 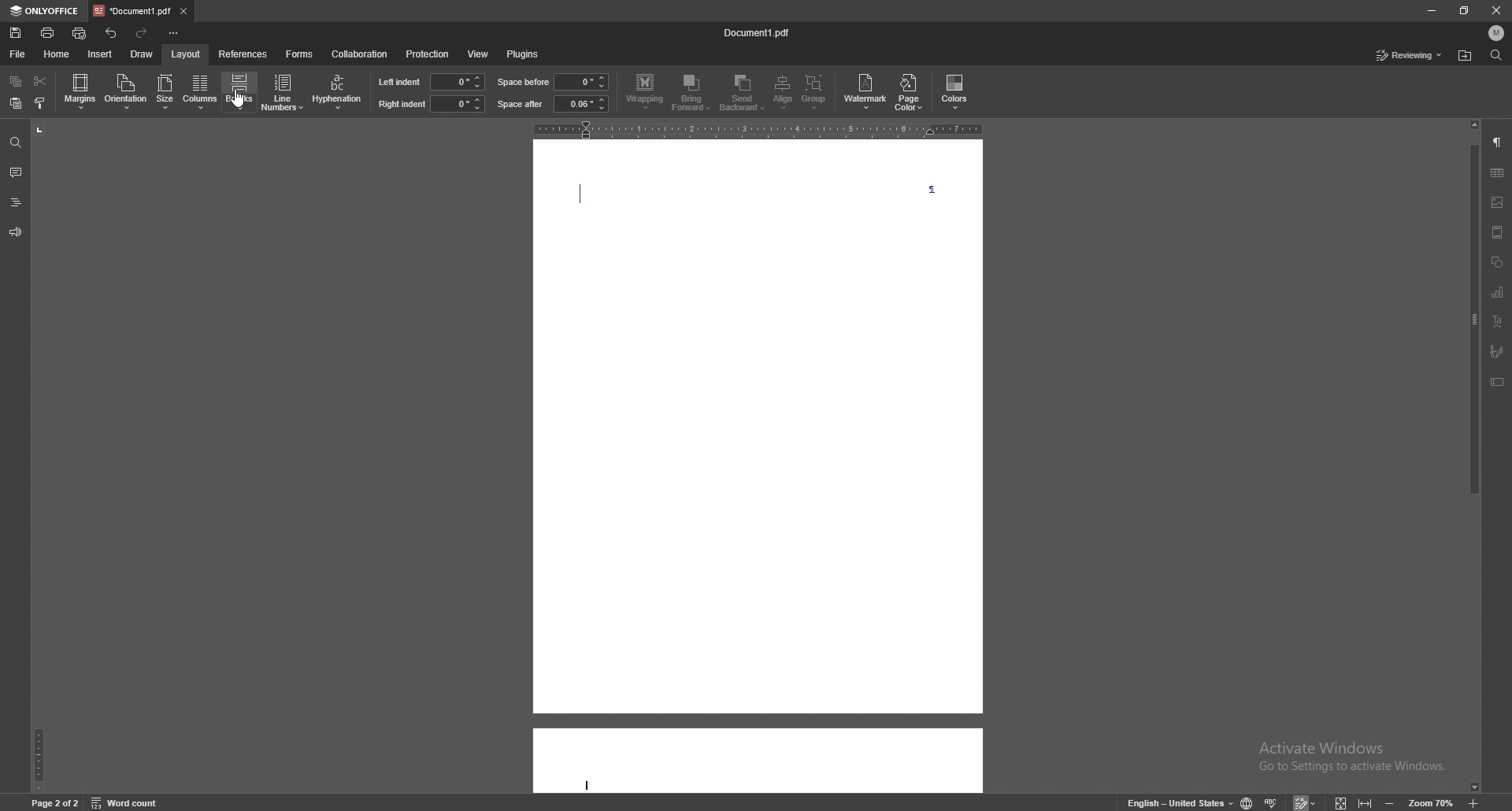 What do you see at coordinates (478, 54) in the screenshot?
I see `view` at bounding box center [478, 54].